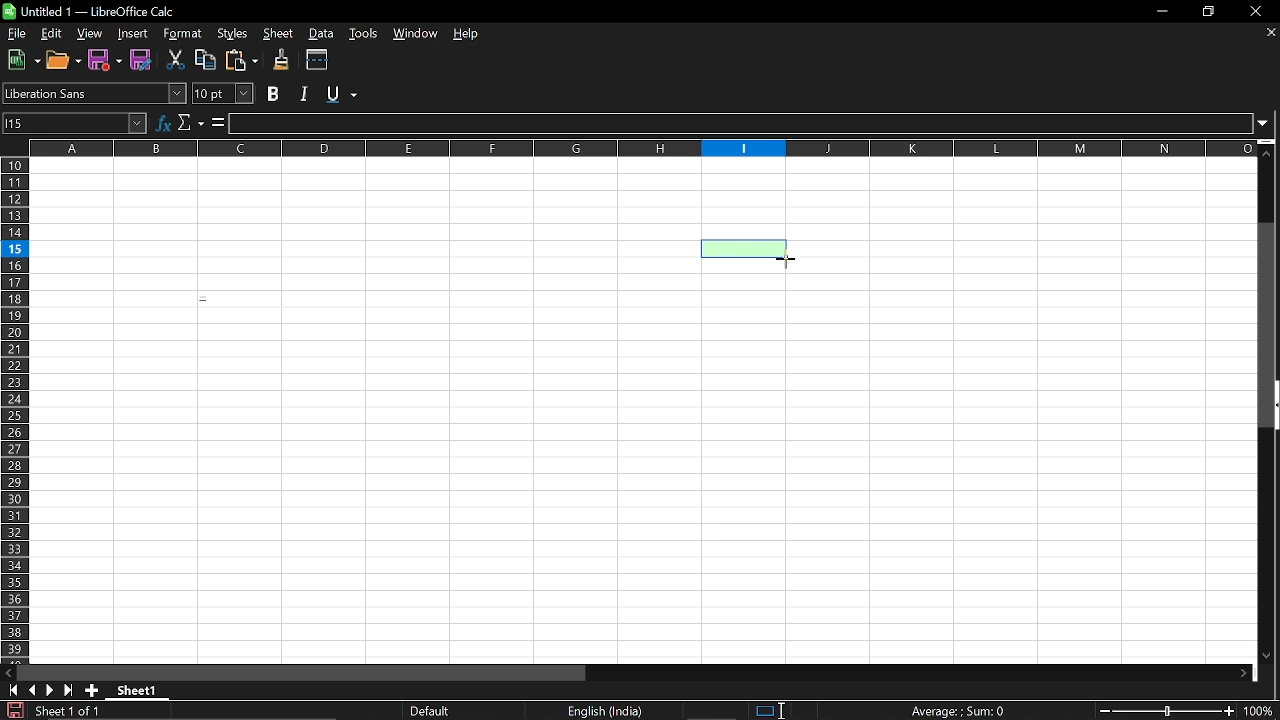  Describe the element at coordinates (277, 34) in the screenshot. I see `Sheet` at that location.